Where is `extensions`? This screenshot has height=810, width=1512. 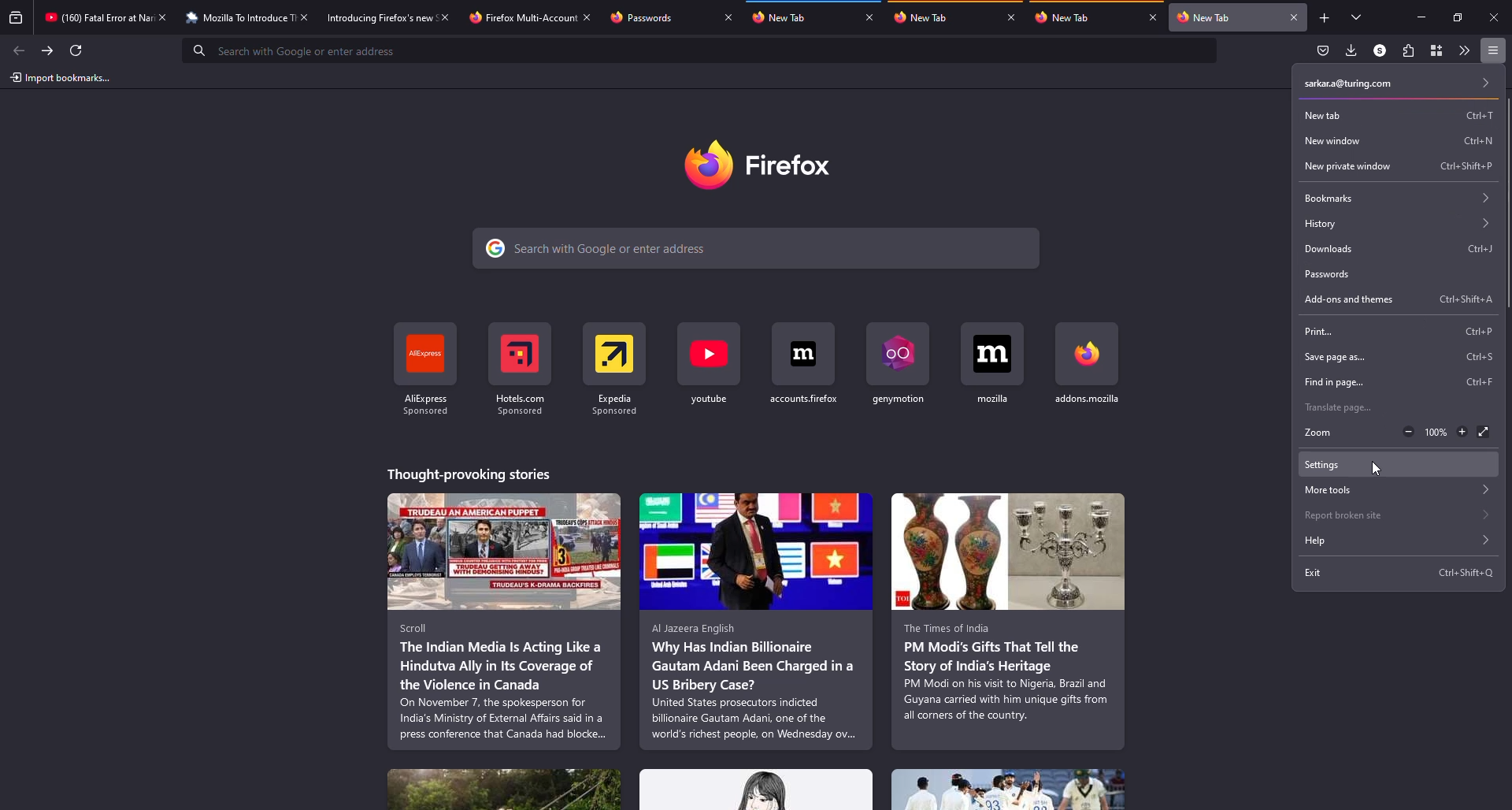
extensions is located at coordinates (1406, 50).